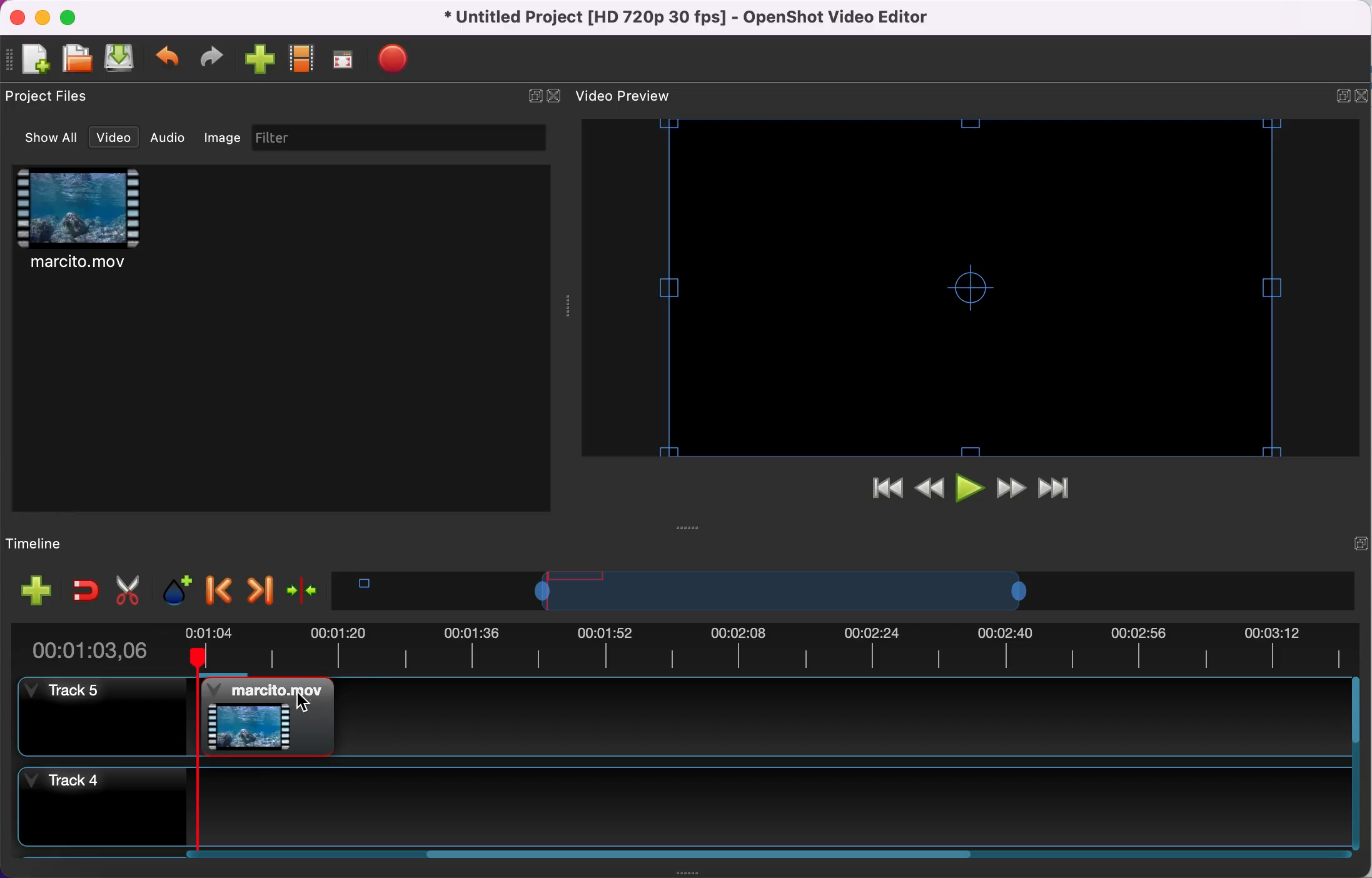 This screenshot has width=1372, height=878. What do you see at coordinates (402, 138) in the screenshot?
I see `filter` at bounding box center [402, 138].